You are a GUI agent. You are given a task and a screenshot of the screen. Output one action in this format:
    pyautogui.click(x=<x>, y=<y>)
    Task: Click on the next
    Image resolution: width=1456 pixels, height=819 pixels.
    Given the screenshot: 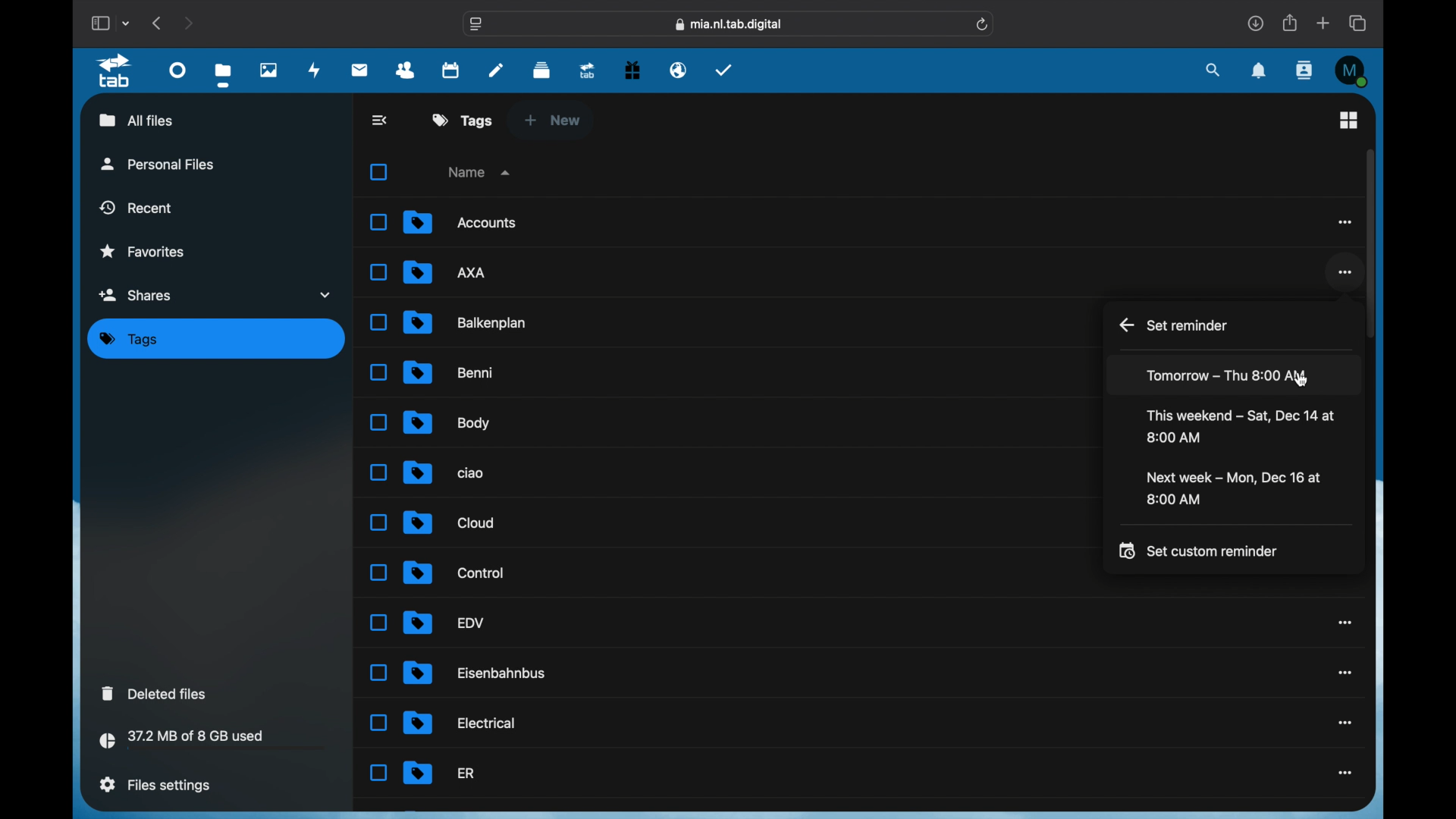 What is the action you would take?
    pyautogui.click(x=190, y=23)
    